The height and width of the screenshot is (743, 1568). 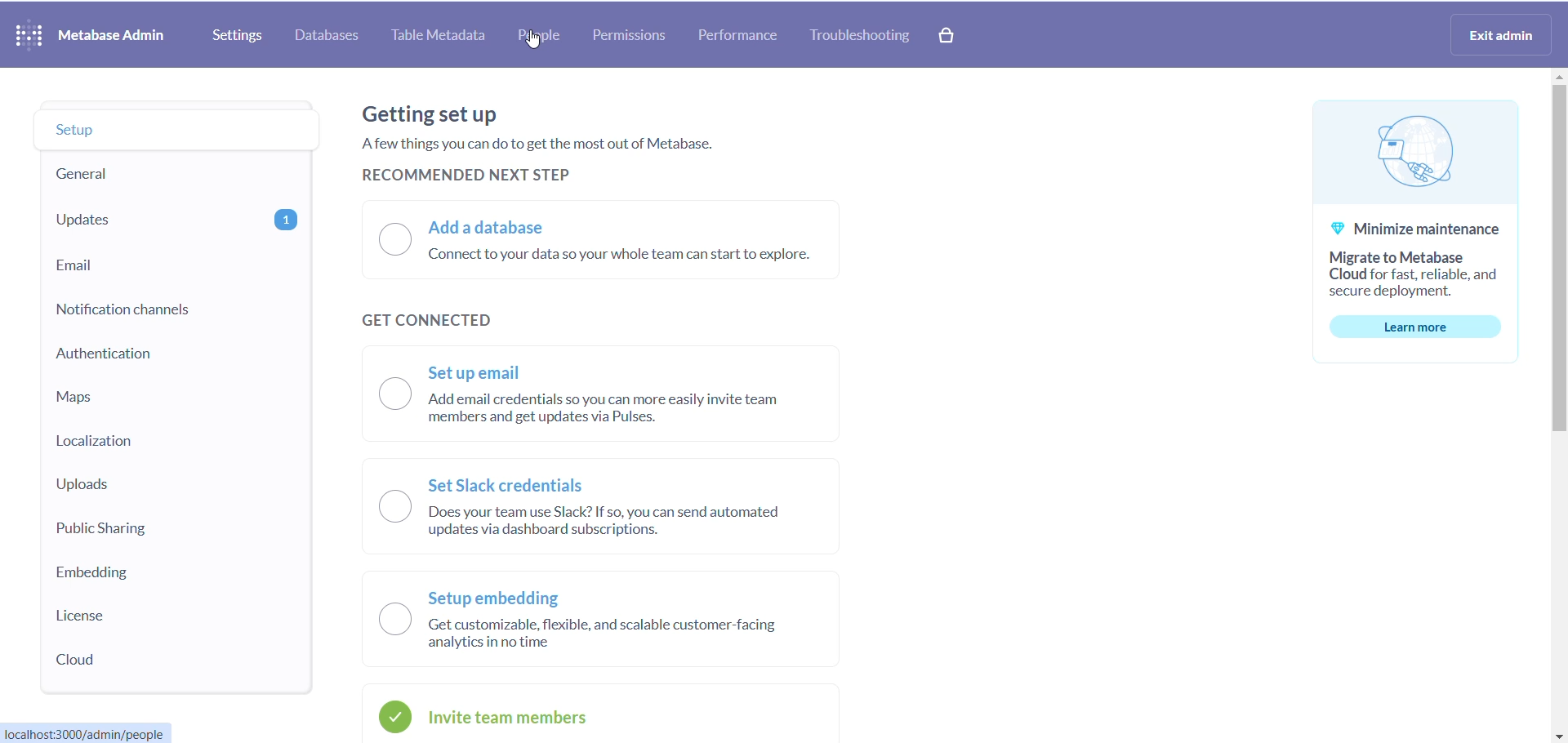 I want to click on public sharing, so click(x=154, y=530).